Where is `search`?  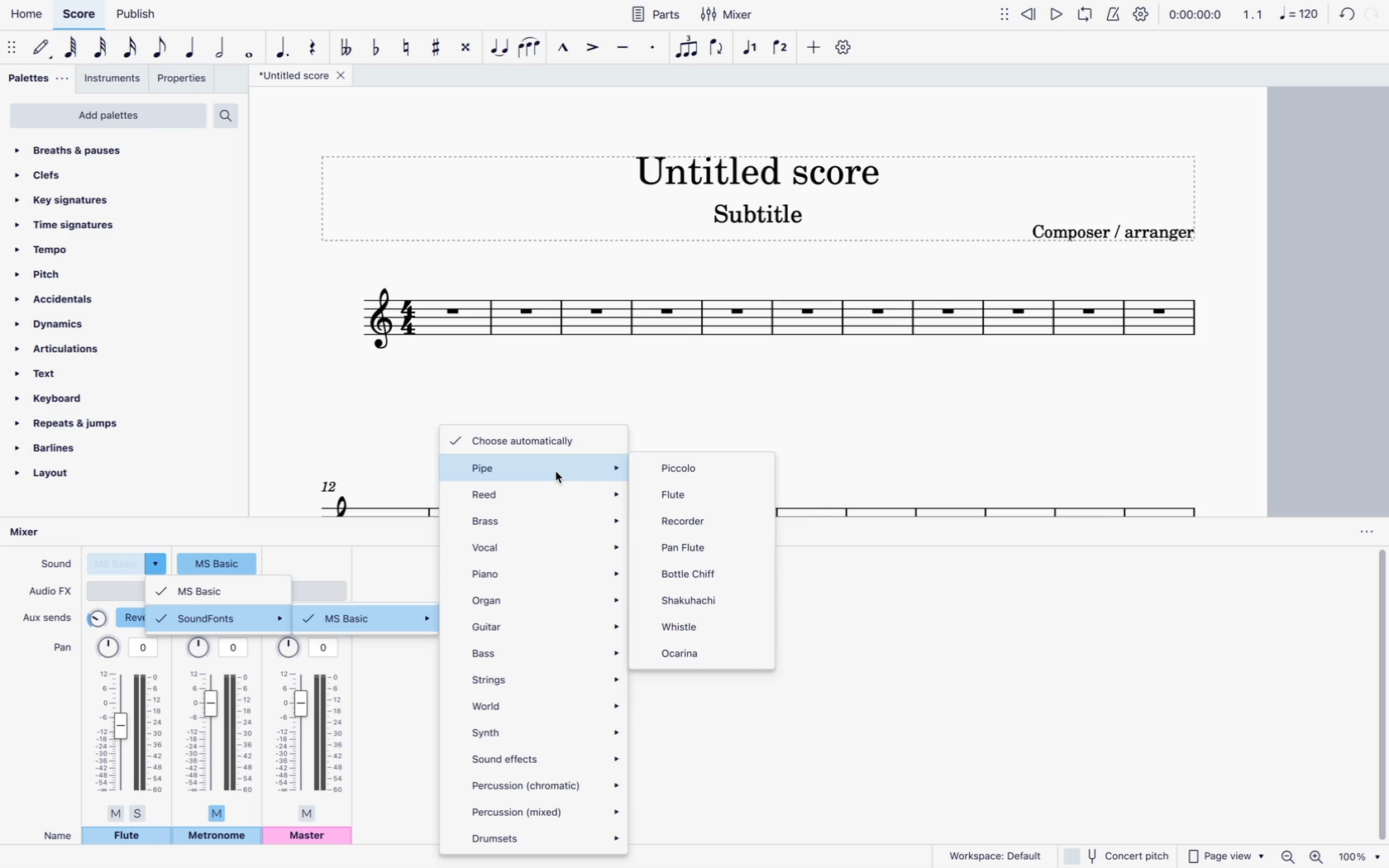
search is located at coordinates (231, 115).